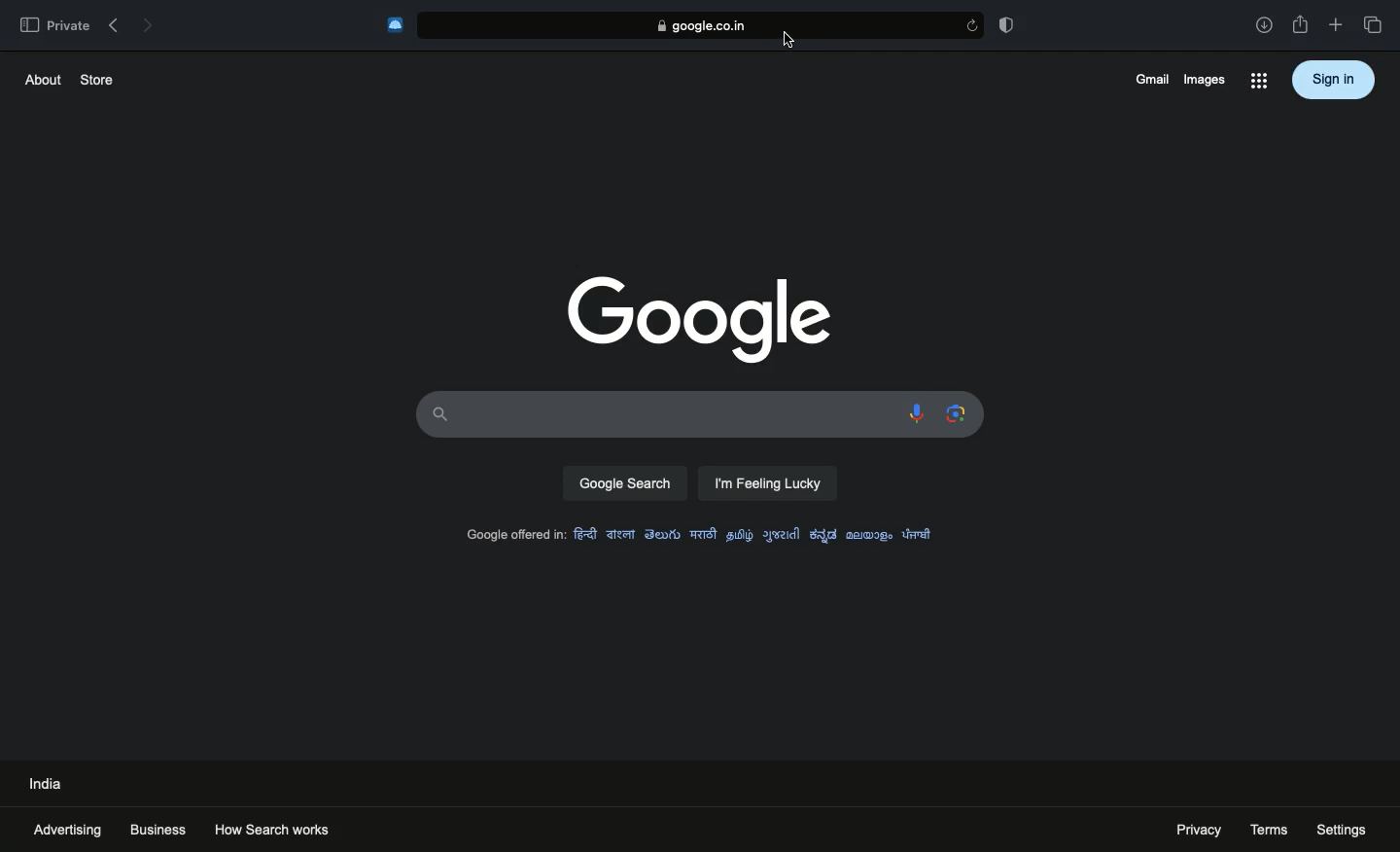  I want to click on Share, so click(1301, 25).